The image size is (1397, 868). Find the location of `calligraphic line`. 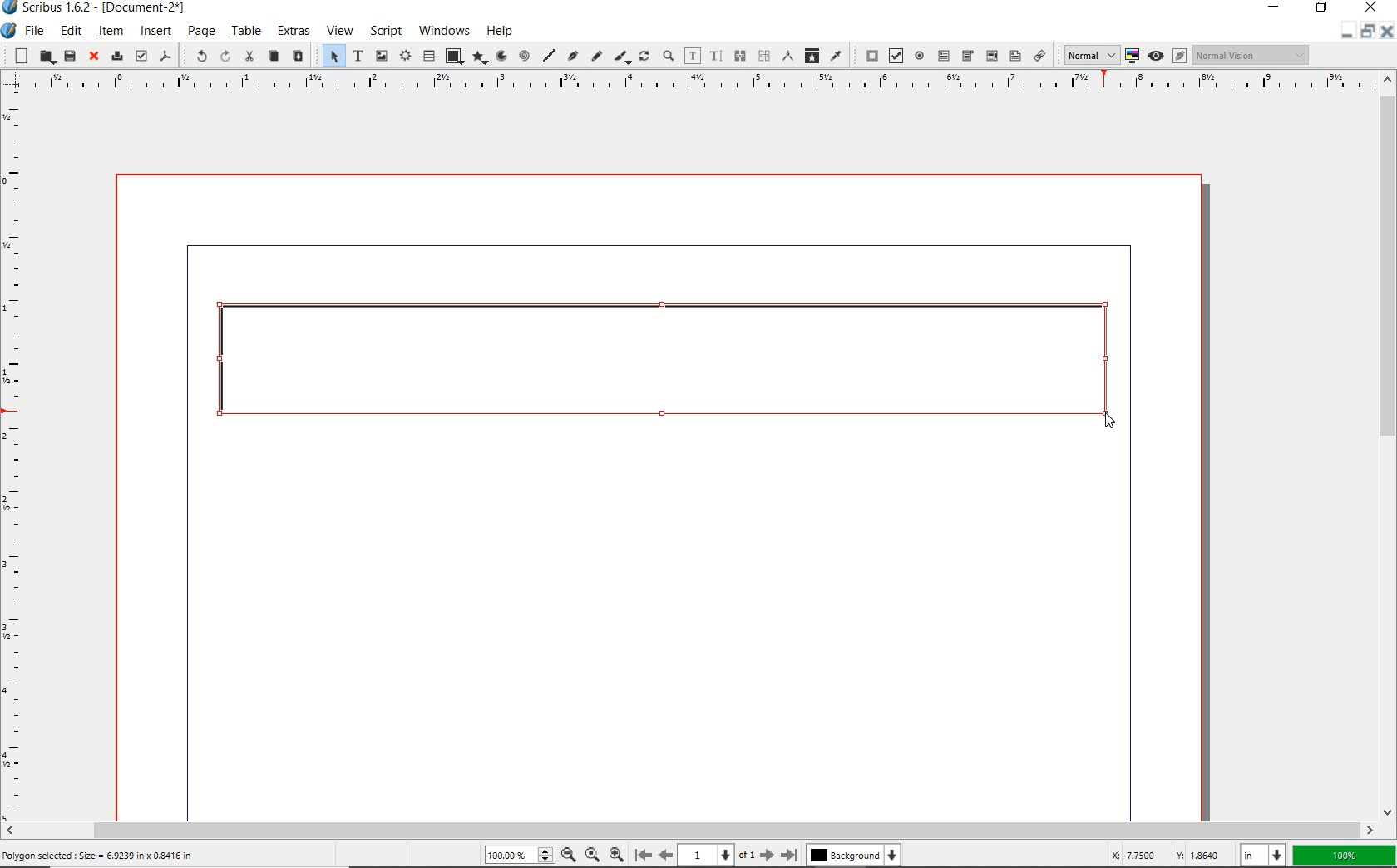

calligraphic line is located at coordinates (623, 57).